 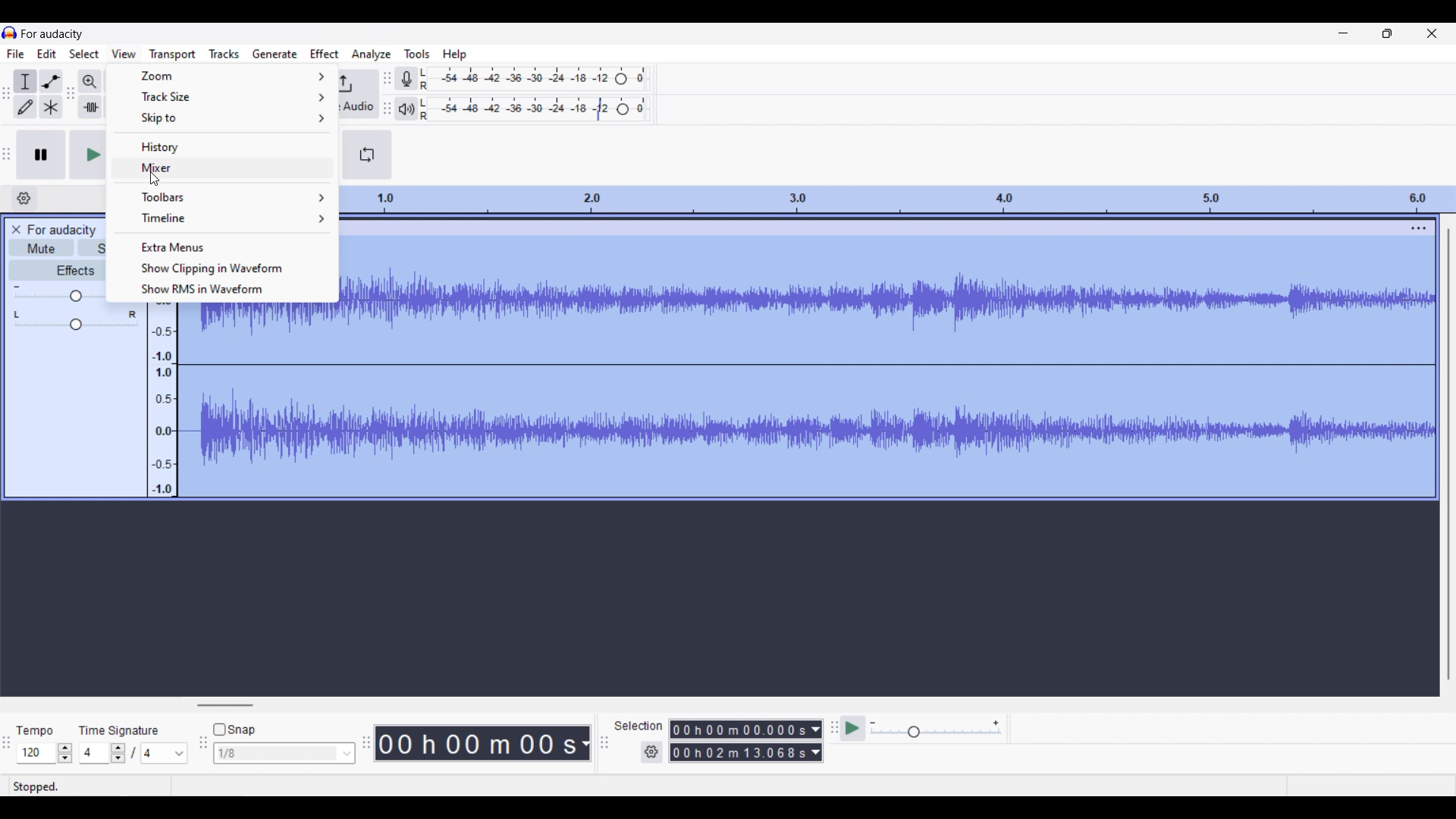 What do you see at coordinates (324, 54) in the screenshot?
I see `Effect menu` at bounding box center [324, 54].